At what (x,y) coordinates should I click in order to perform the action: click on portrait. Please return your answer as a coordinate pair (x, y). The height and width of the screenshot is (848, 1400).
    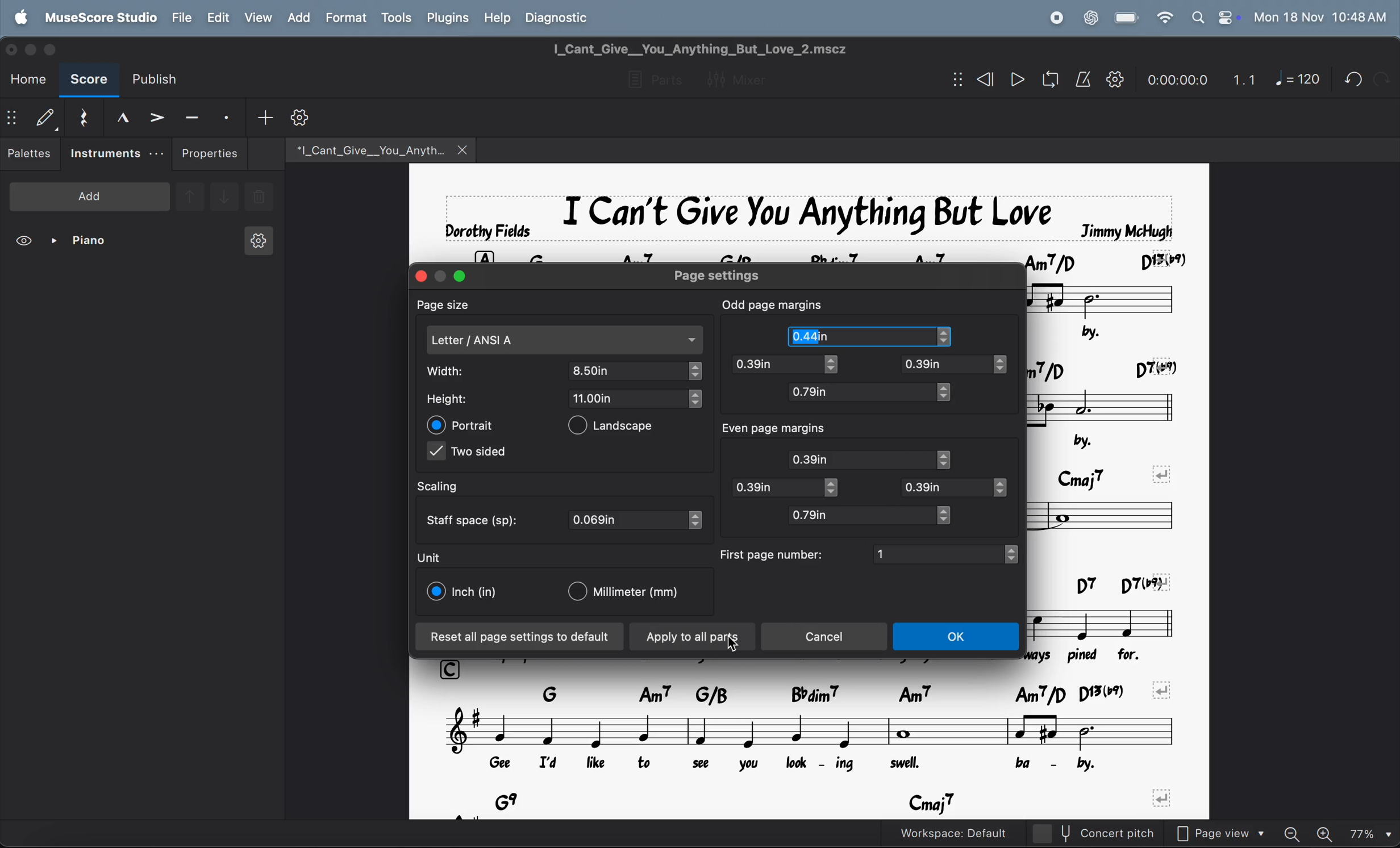
    Looking at the image, I should click on (463, 425).